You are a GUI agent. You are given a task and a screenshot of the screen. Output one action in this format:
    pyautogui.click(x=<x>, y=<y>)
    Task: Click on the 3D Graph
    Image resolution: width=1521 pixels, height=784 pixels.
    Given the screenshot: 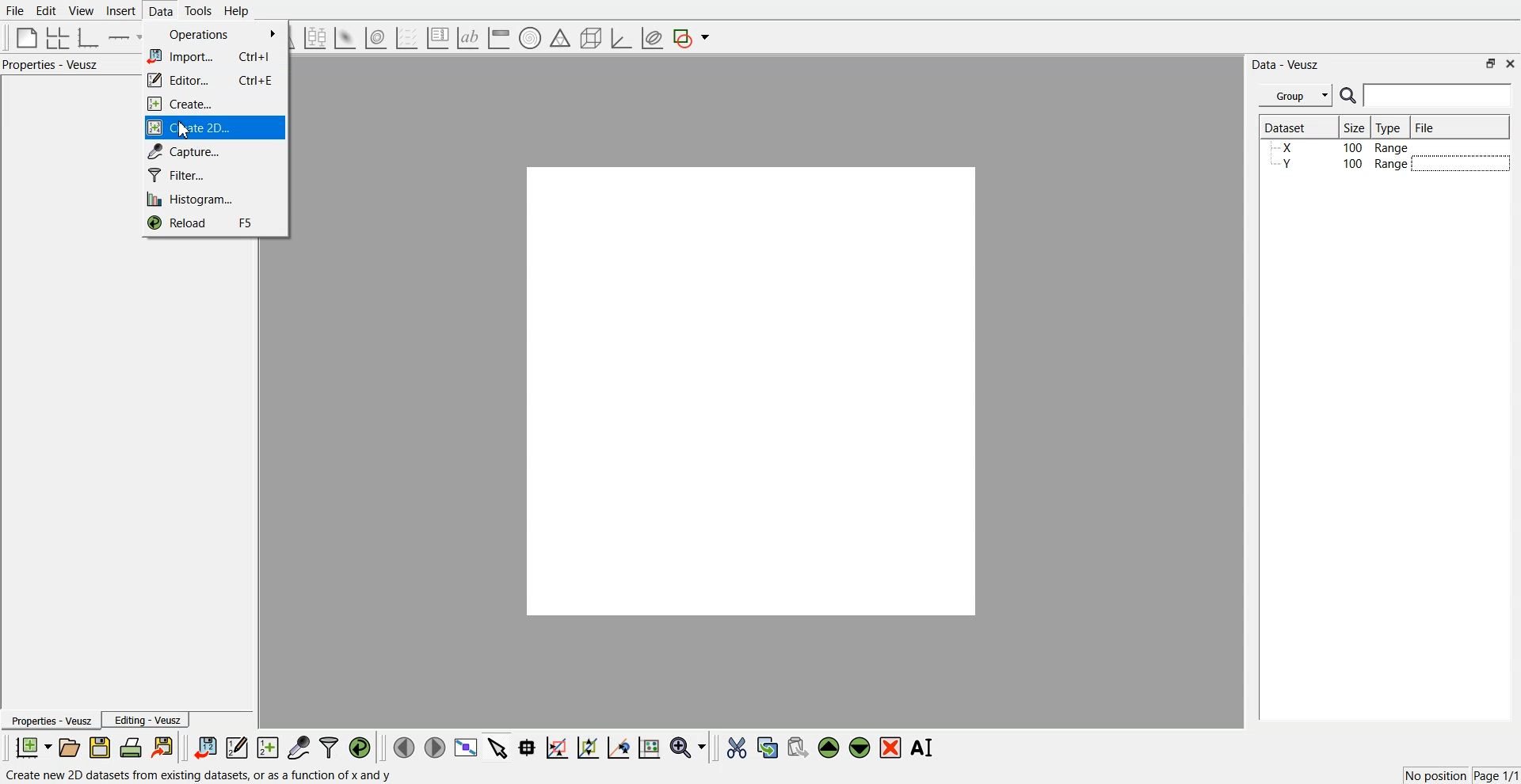 What is the action you would take?
    pyautogui.click(x=621, y=38)
    